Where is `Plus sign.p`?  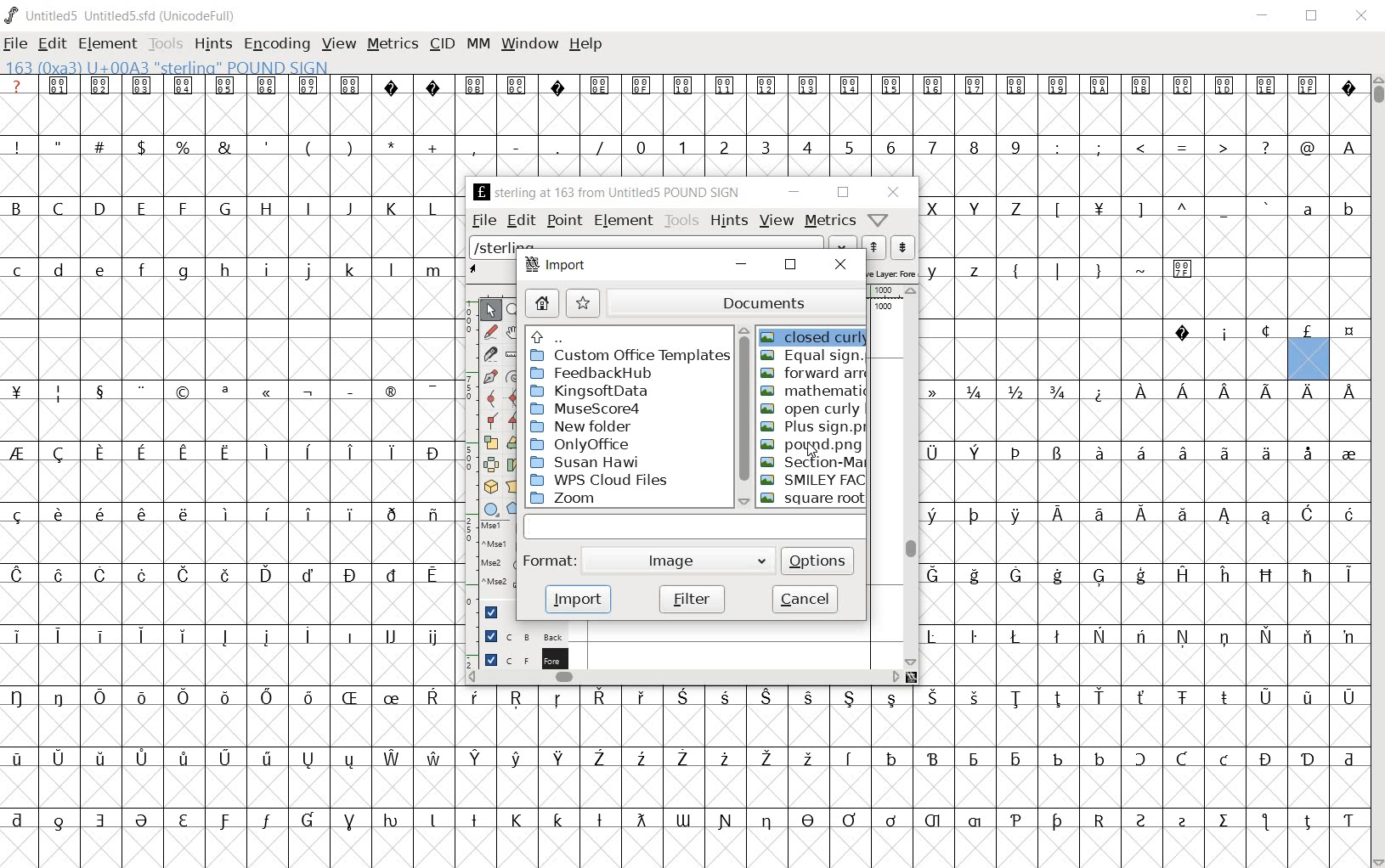 Plus sign.p is located at coordinates (812, 429).